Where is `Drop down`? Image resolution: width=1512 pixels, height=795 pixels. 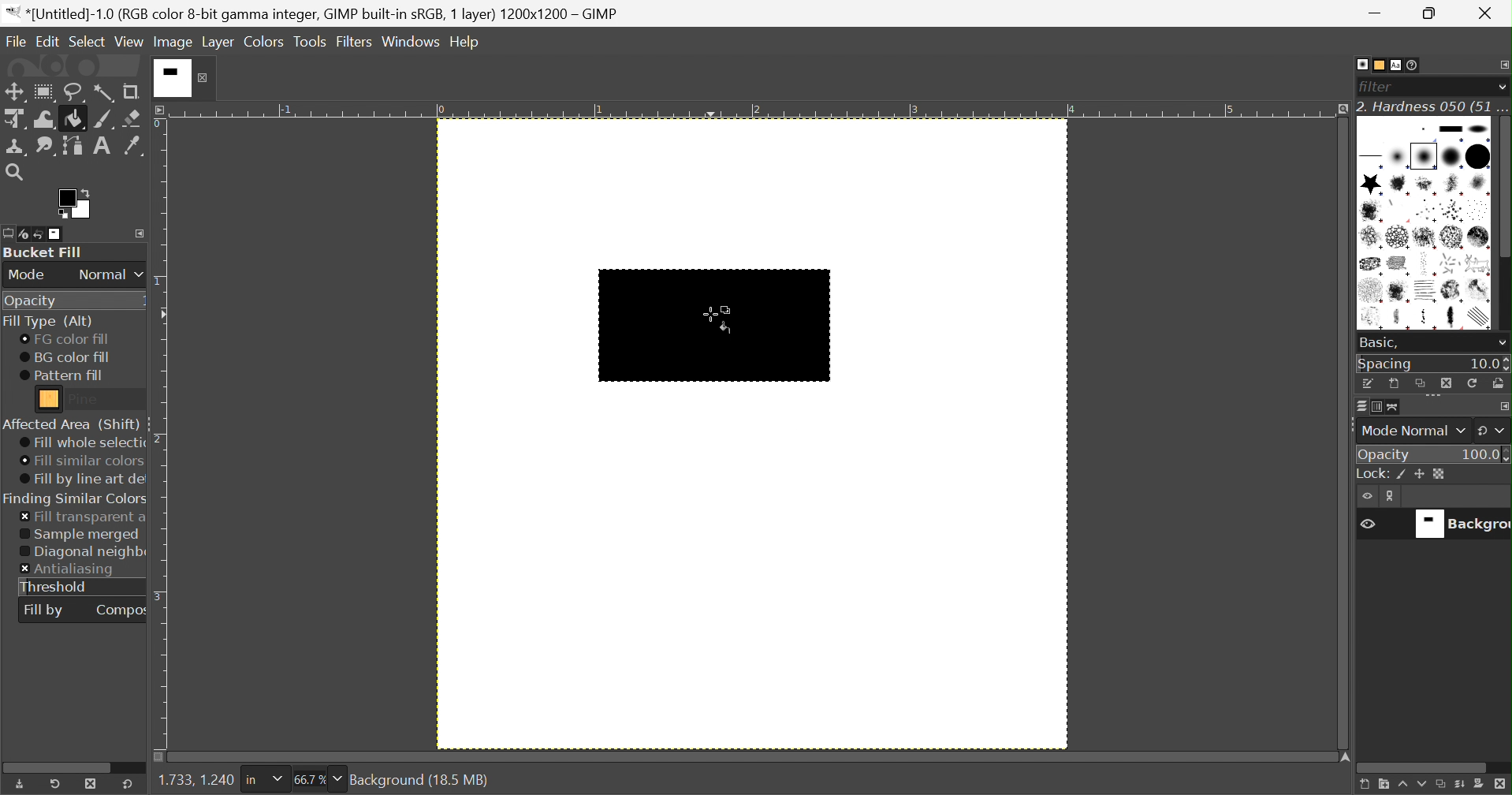 Drop down is located at coordinates (338, 778).